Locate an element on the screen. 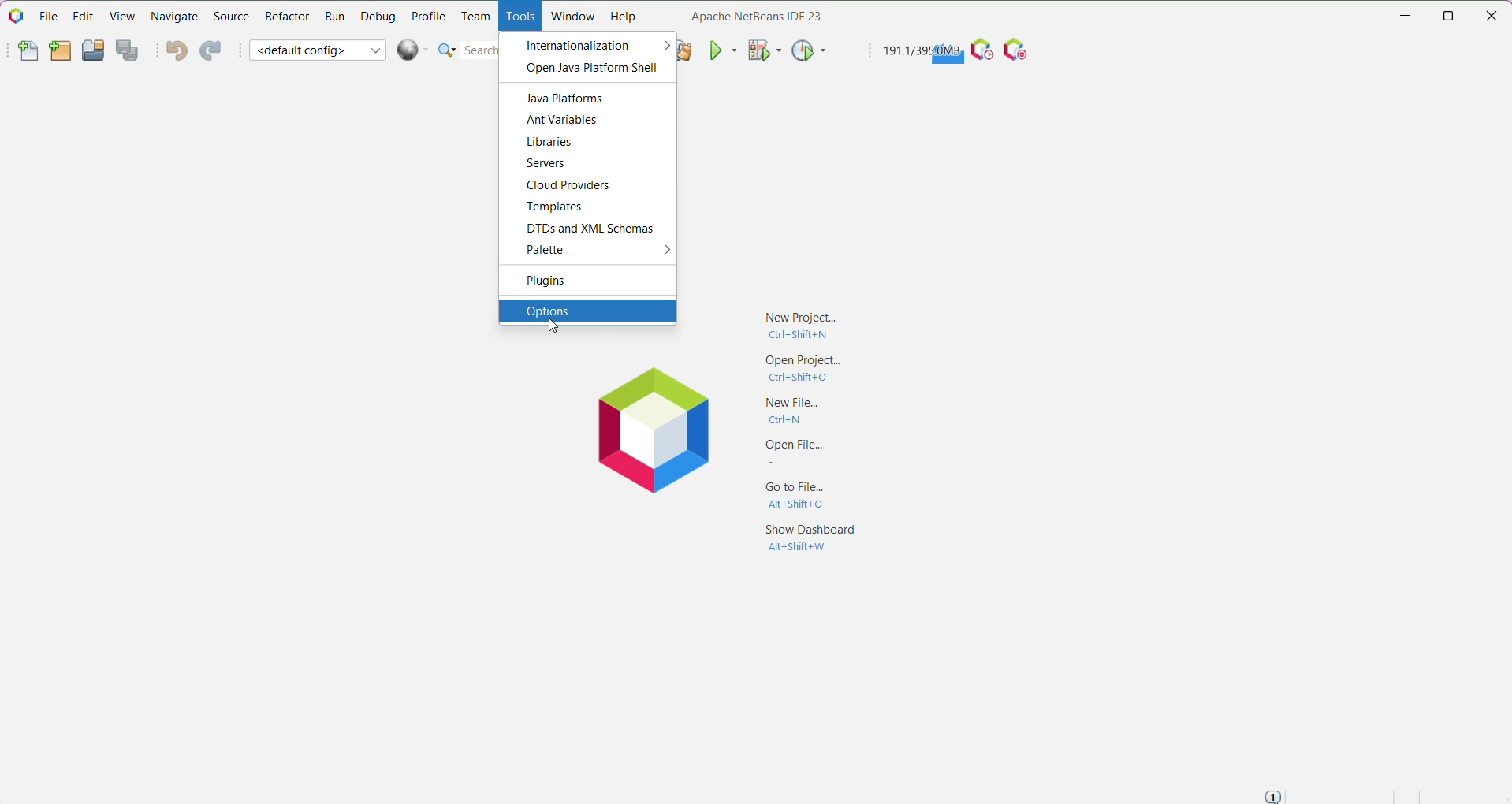 This screenshot has height=804, width=1512. New Project is located at coordinates (58, 51).